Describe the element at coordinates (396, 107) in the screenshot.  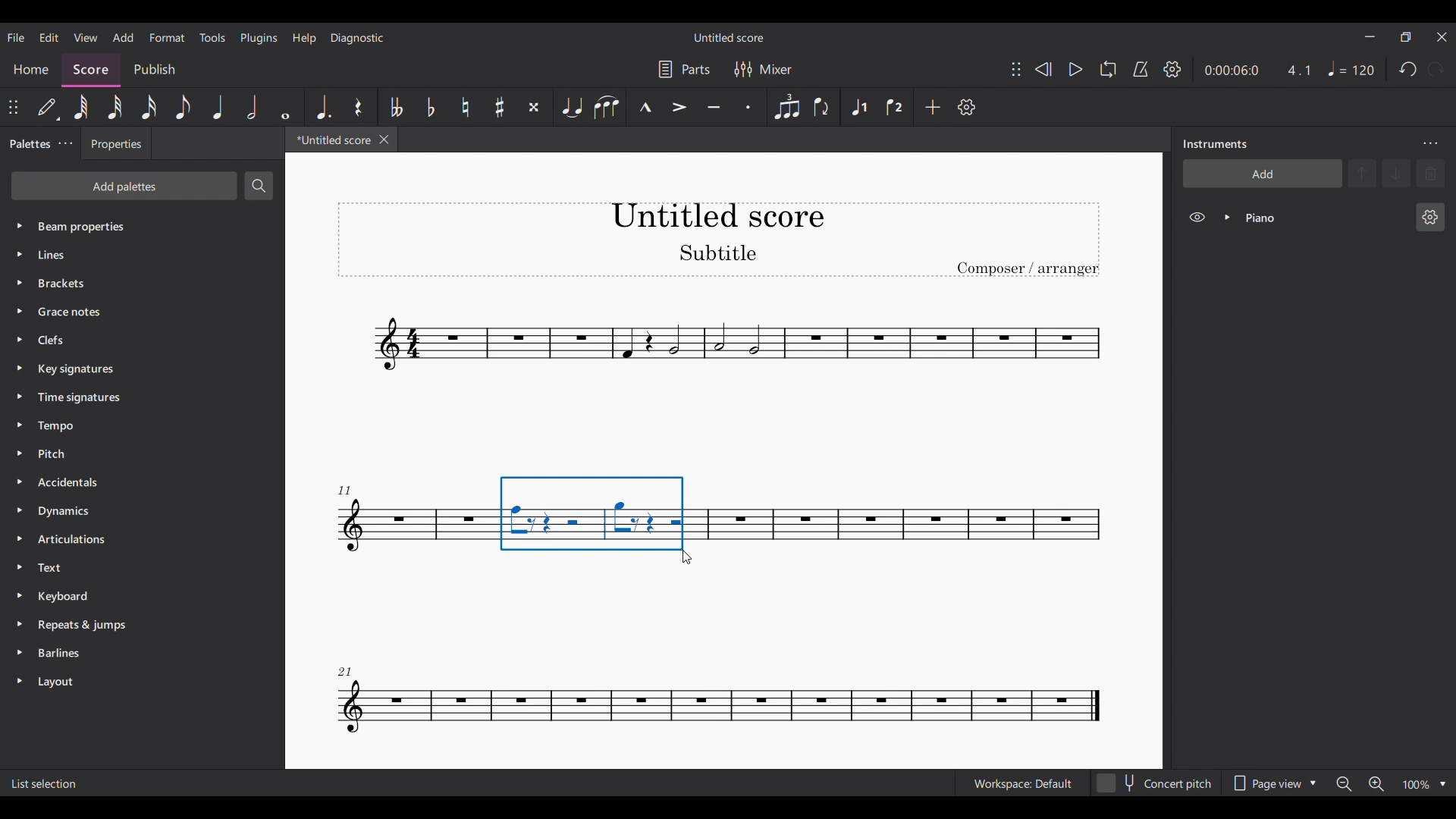
I see `Toggle double flat` at that location.